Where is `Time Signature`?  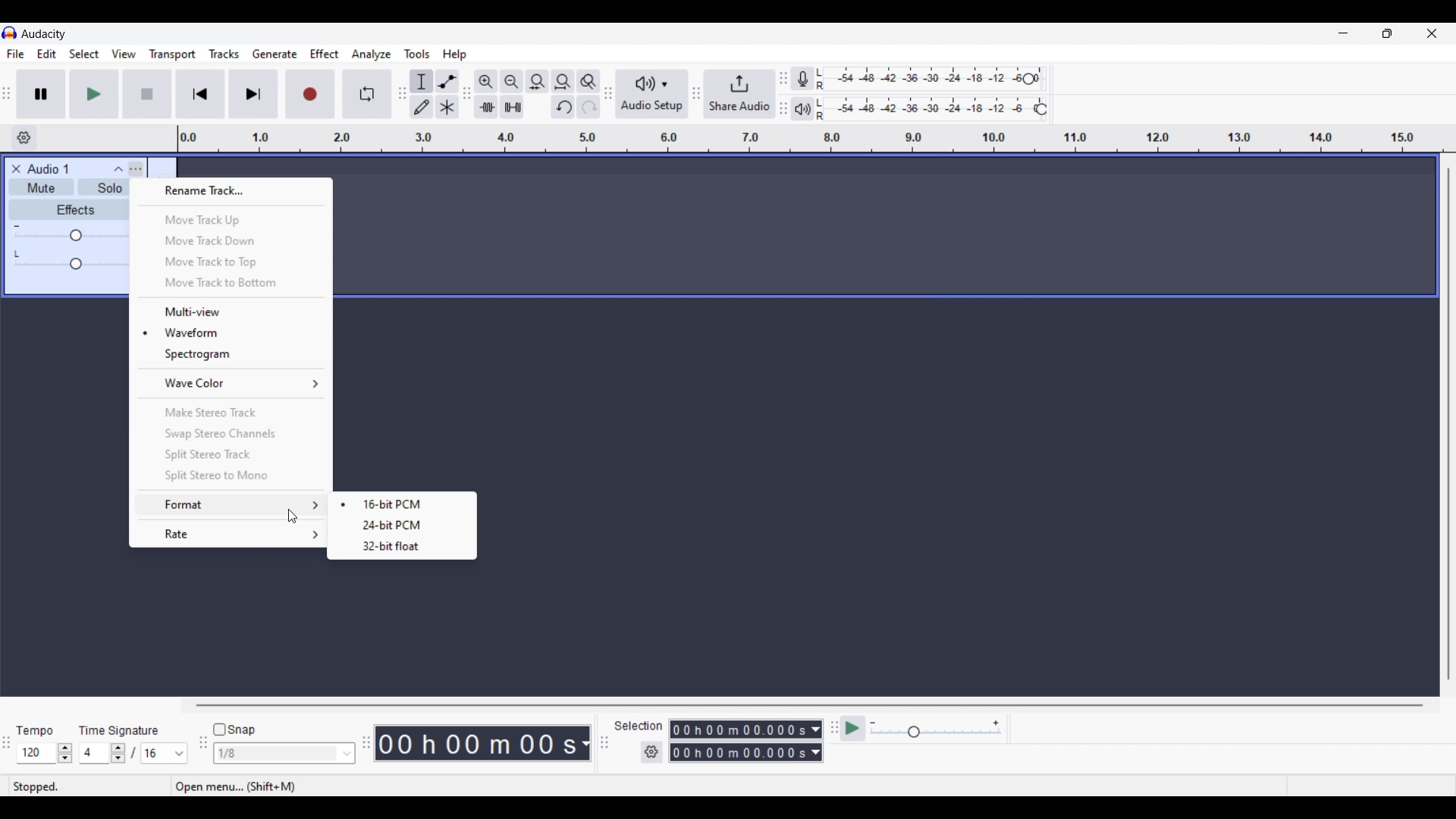 Time Signature is located at coordinates (121, 730).